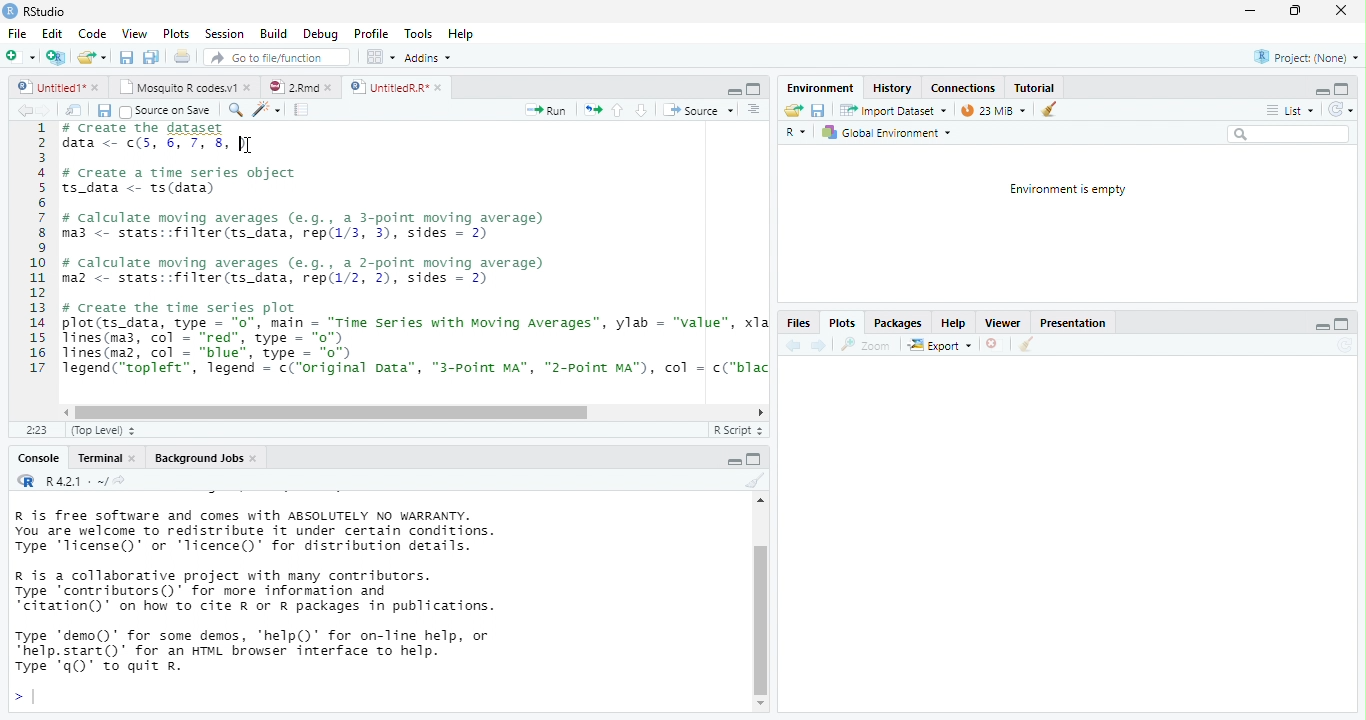  What do you see at coordinates (1345, 345) in the screenshot?
I see `Refresh` at bounding box center [1345, 345].